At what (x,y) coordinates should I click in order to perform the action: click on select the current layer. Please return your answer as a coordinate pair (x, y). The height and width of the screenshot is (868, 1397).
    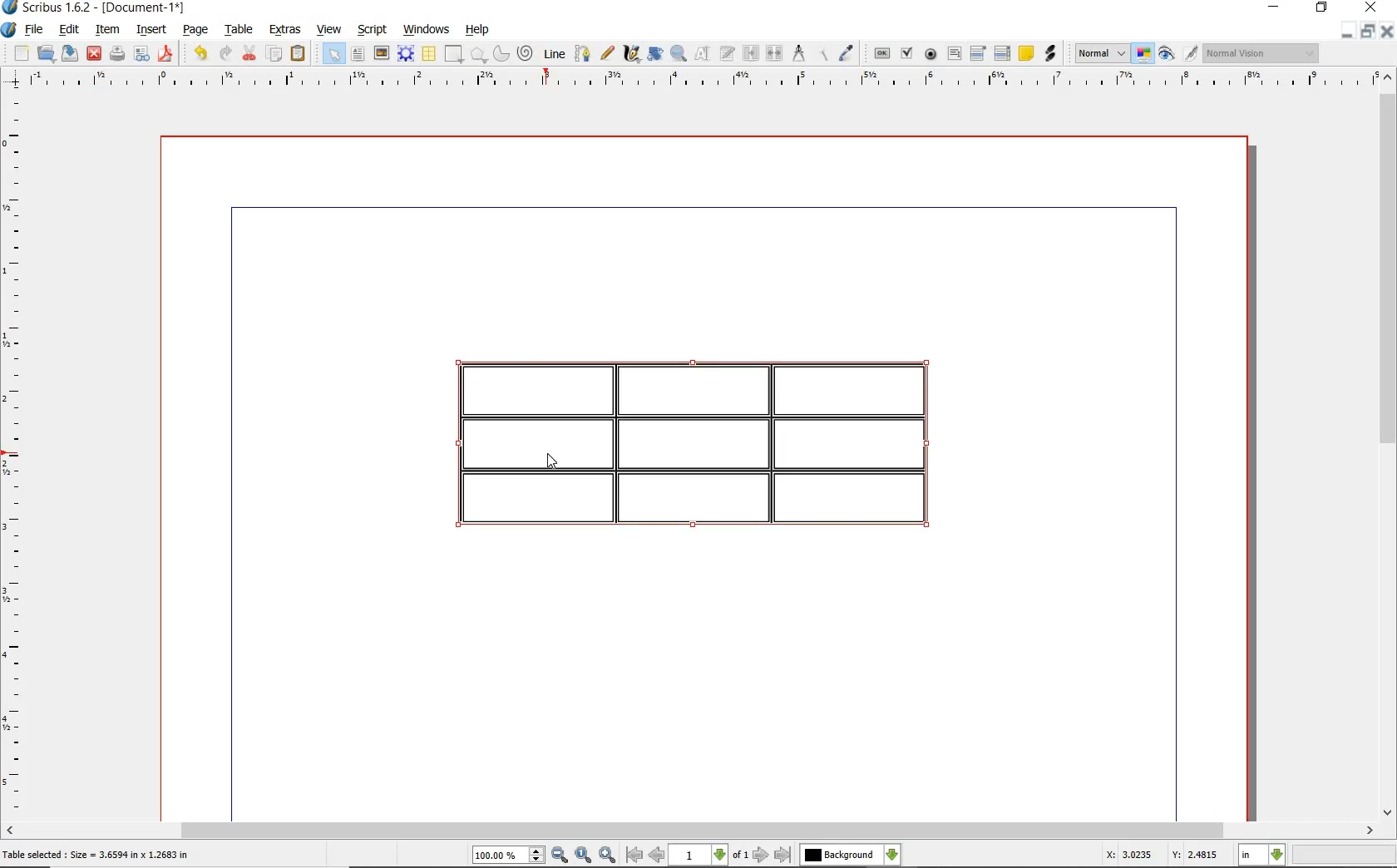
    Looking at the image, I should click on (852, 853).